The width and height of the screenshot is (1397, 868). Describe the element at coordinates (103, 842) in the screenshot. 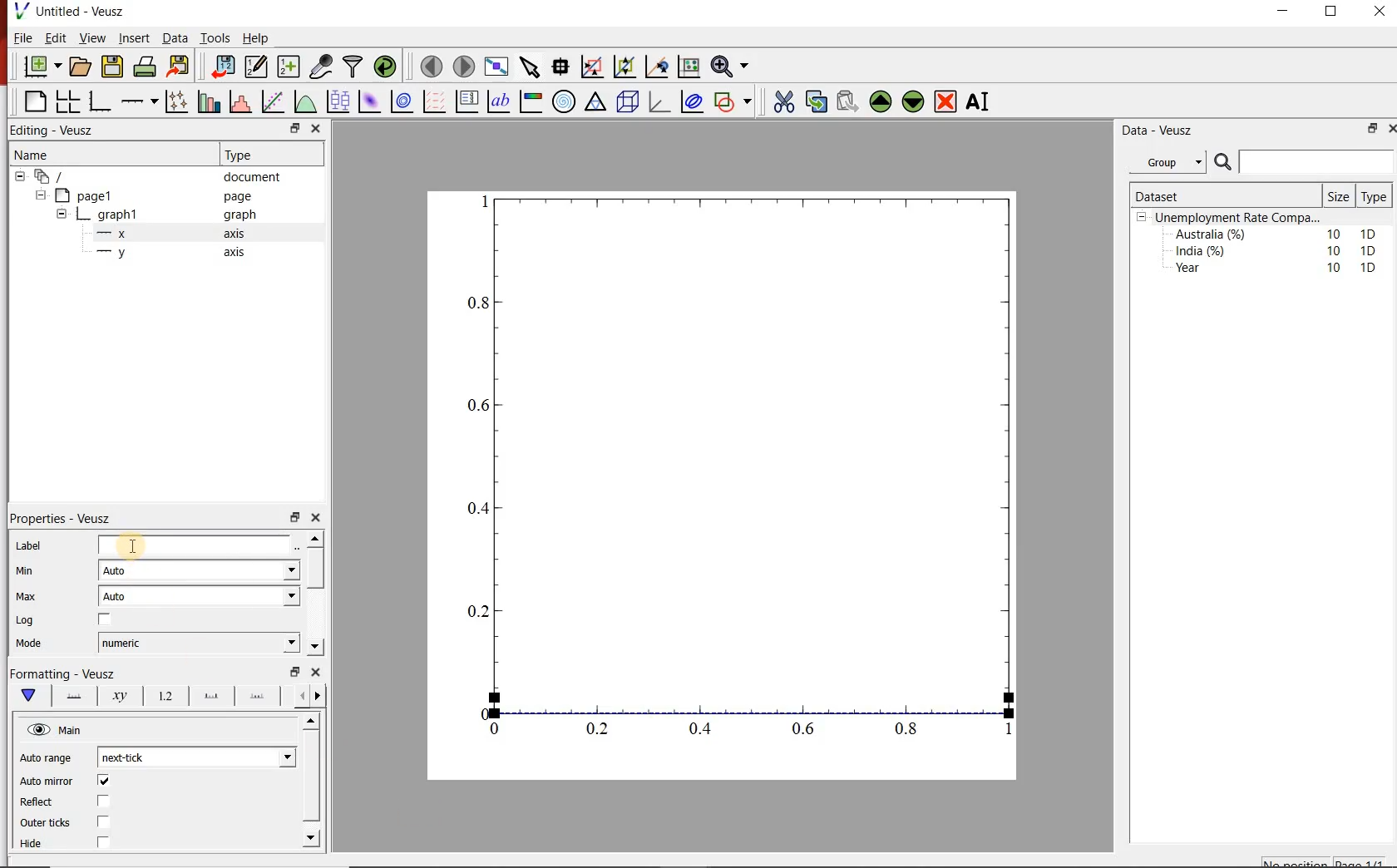

I see `checkbox` at that location.